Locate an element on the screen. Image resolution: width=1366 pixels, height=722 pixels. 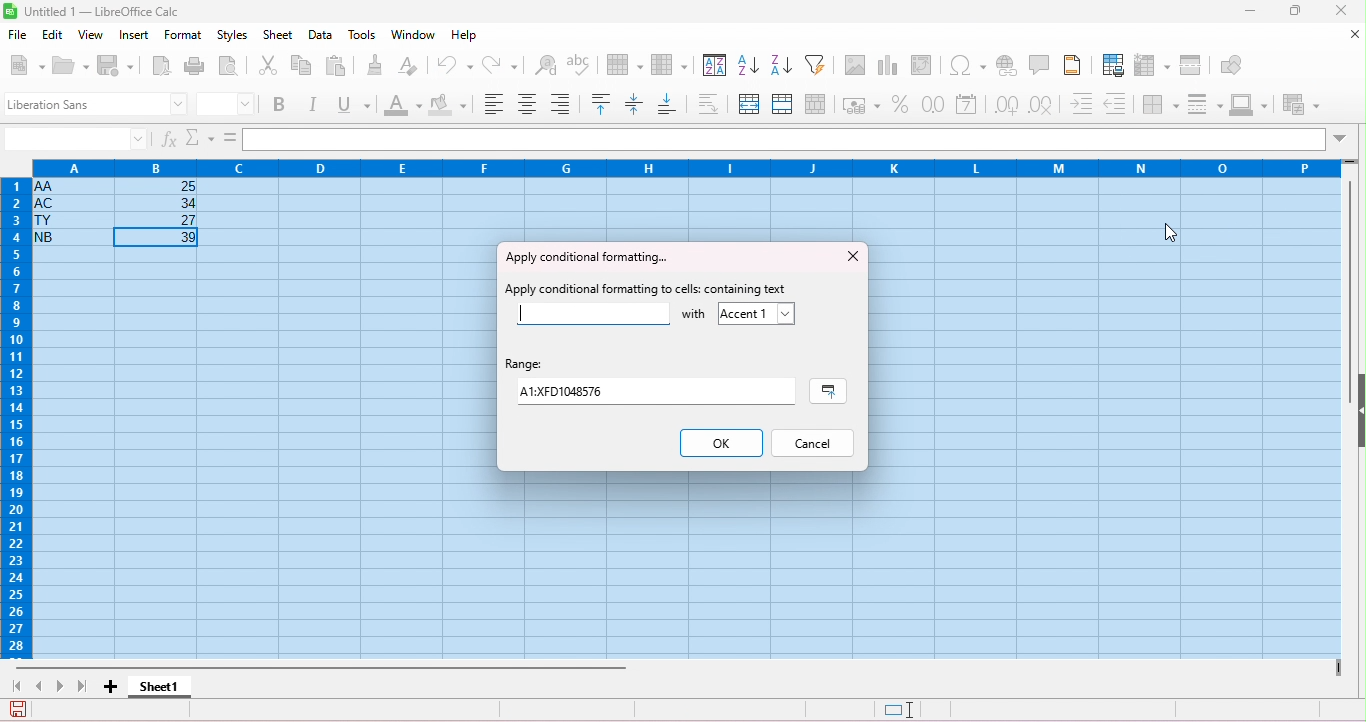
= is located at coordinates (231, 138).